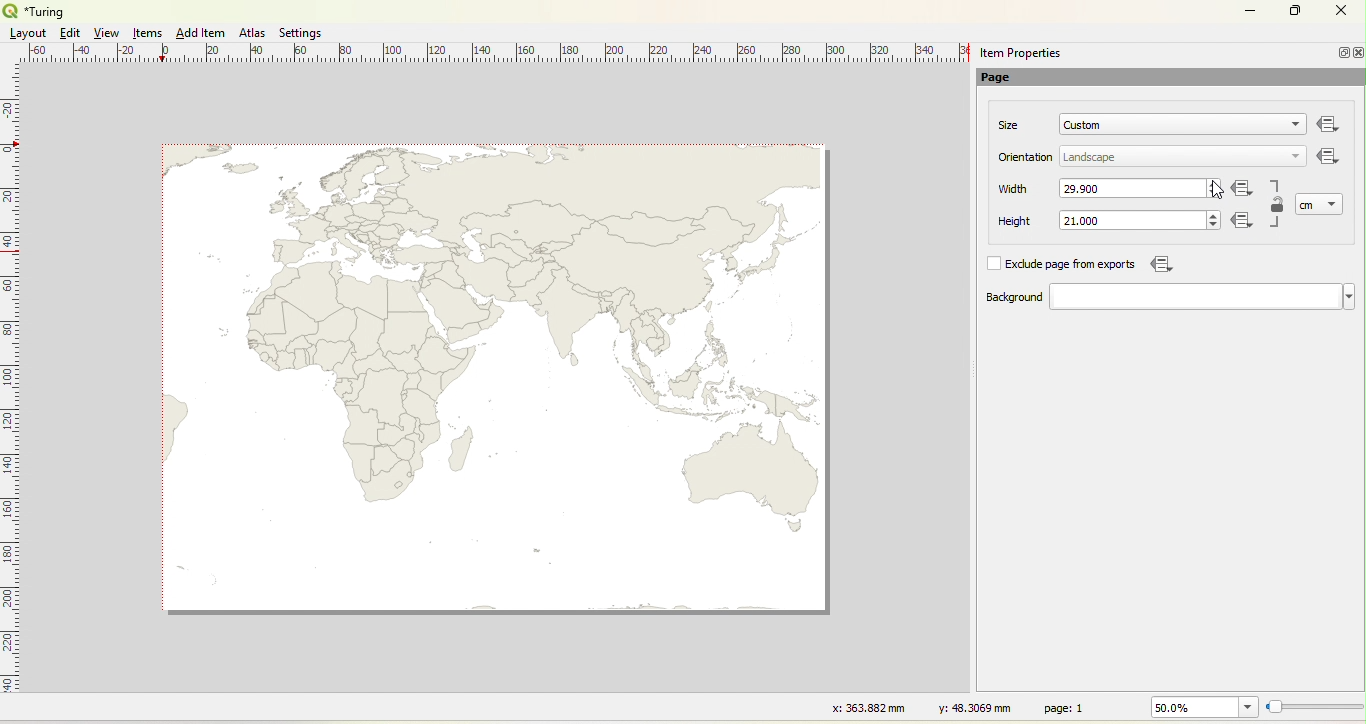 The image size is (1366, 724). What do you see at coordinates (11, 391) in the screenshot?
I see `Ruler` at bounding box center [11, 391].